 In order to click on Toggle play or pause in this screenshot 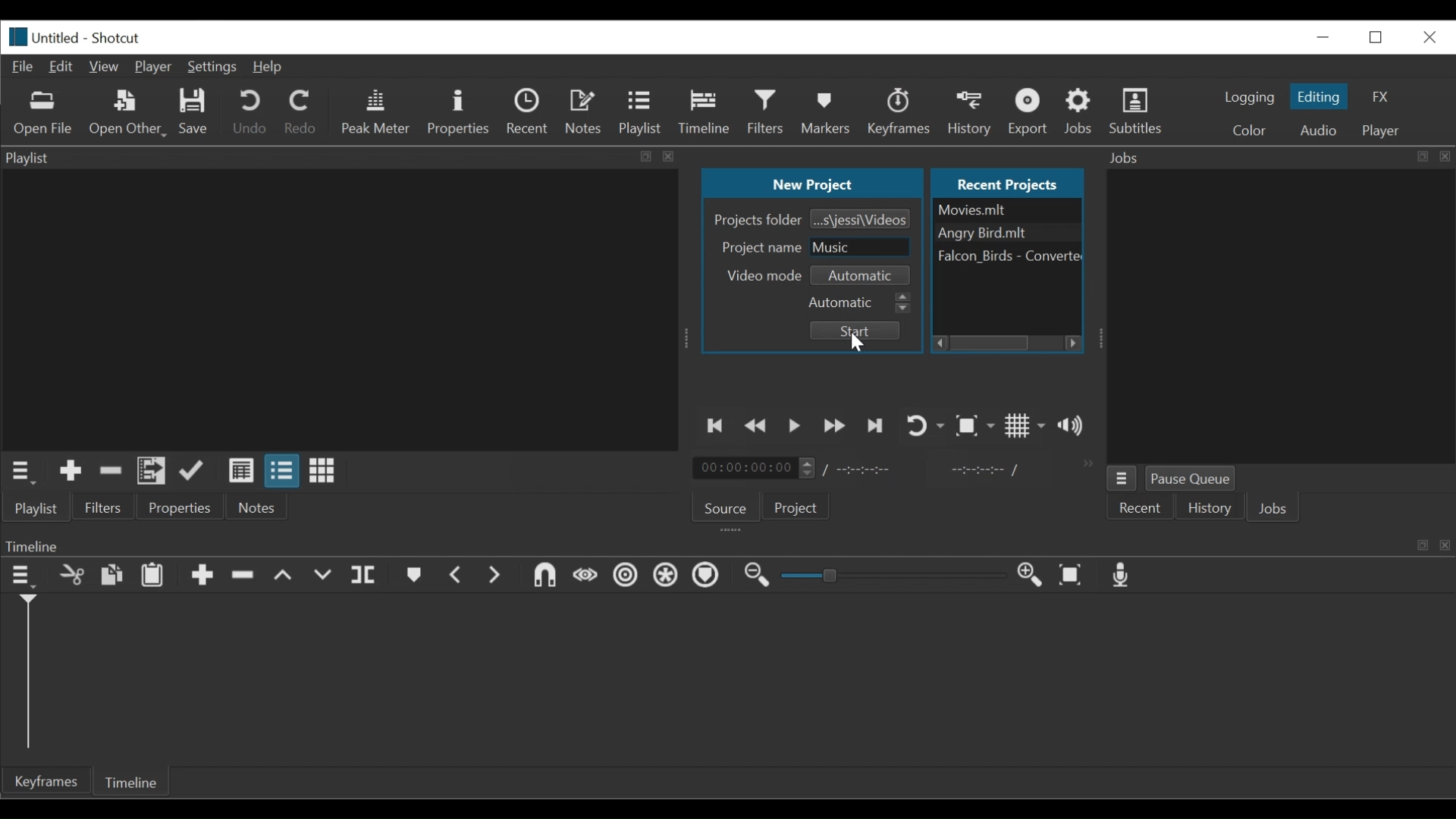, I will do `click(795, 428)`.